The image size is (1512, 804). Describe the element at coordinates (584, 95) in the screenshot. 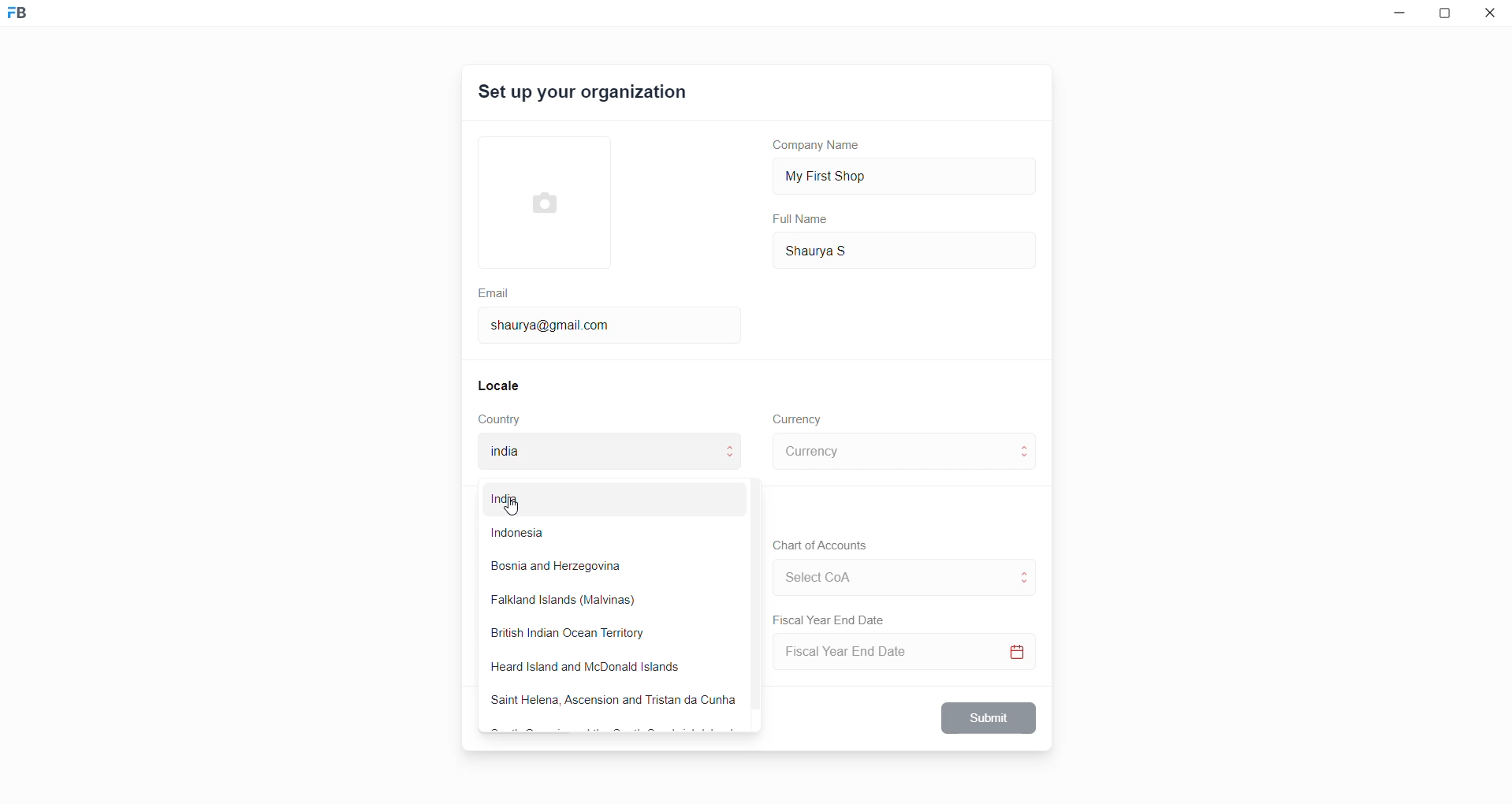

I see `Set up your organization` at that location.